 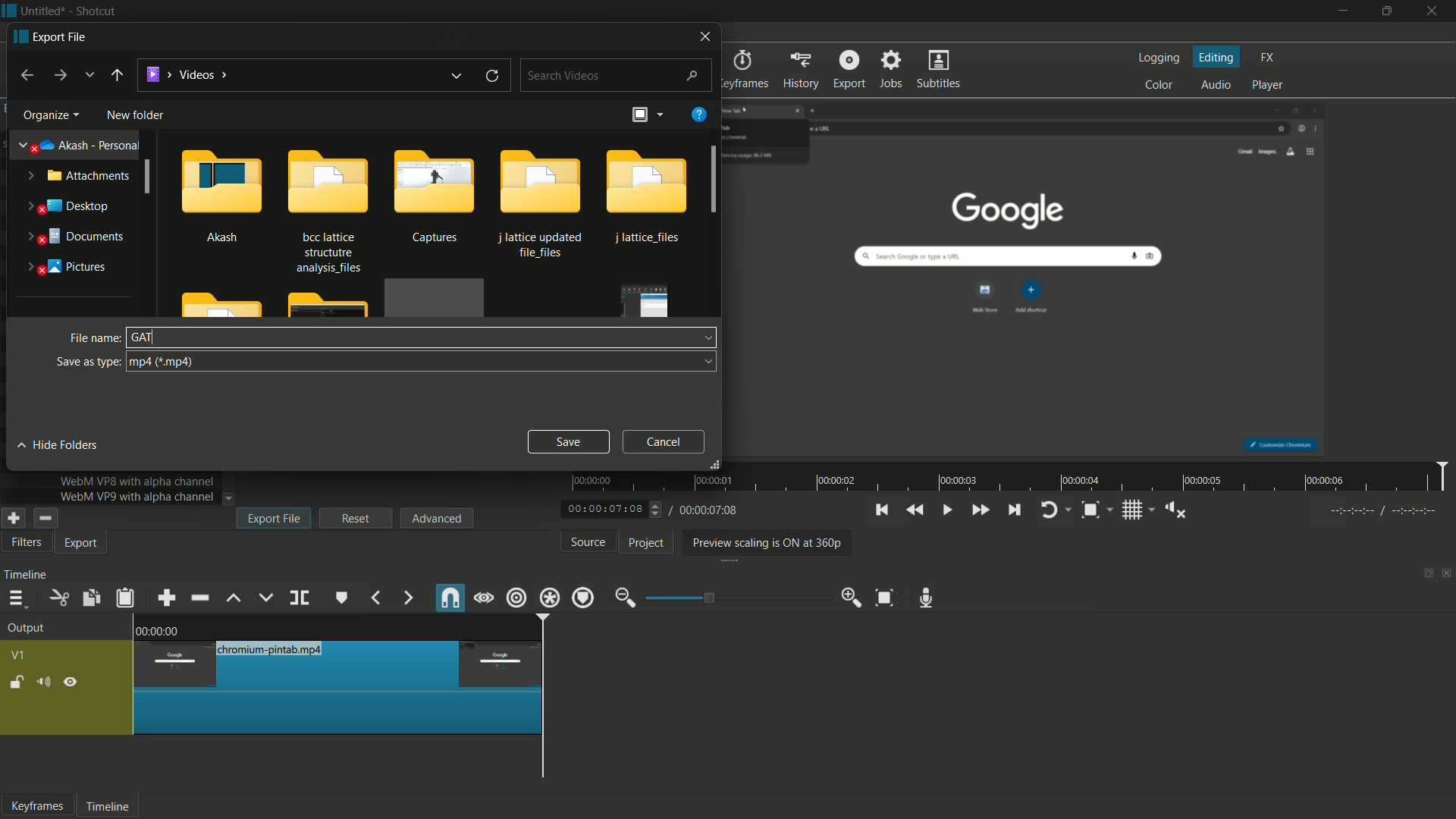 I want to click on app icon, so click(x=9, y=10).